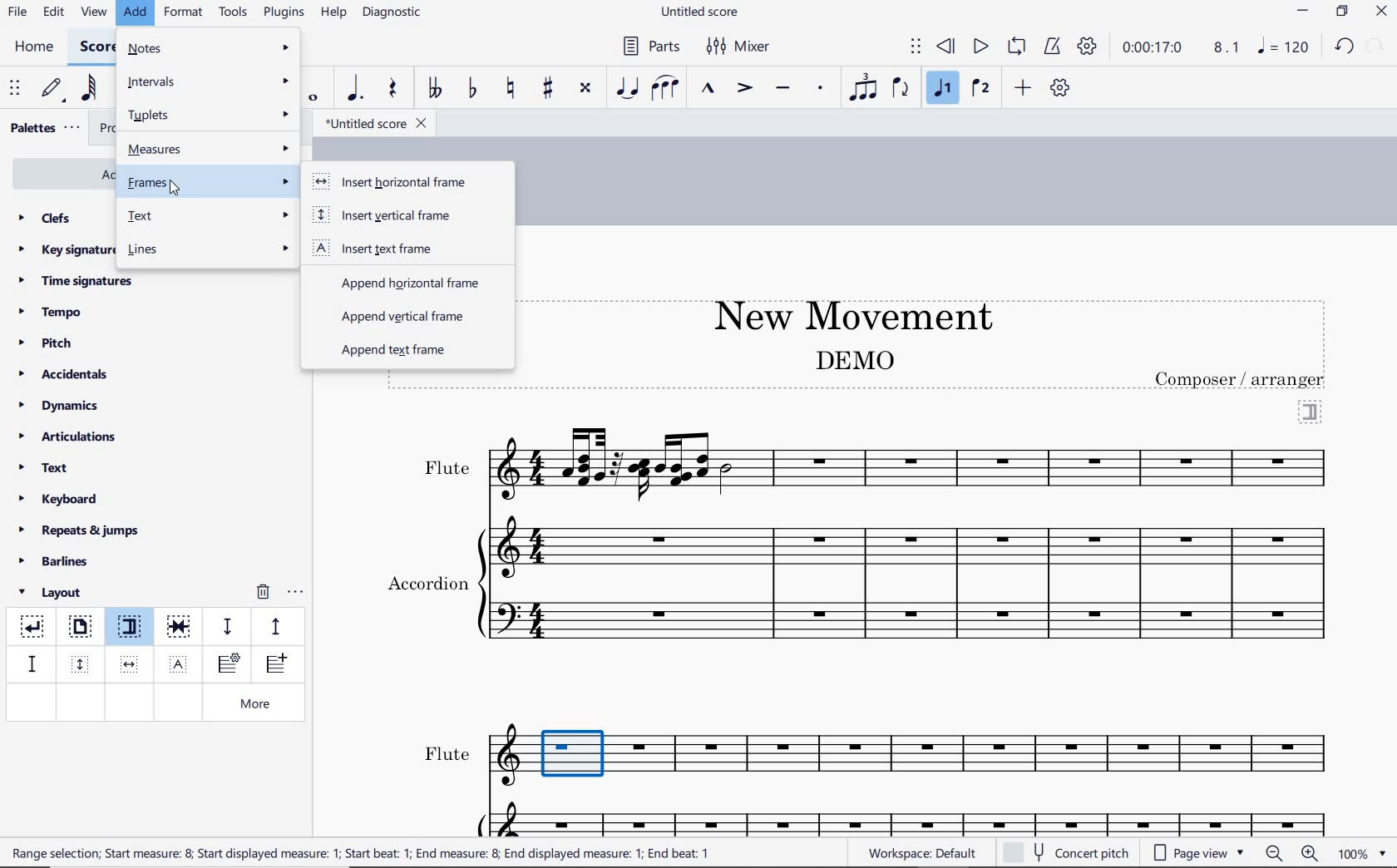  What do you see at coordinates (295, 589) in the screenshot?
I see `options` at bounding box center [295, 589].